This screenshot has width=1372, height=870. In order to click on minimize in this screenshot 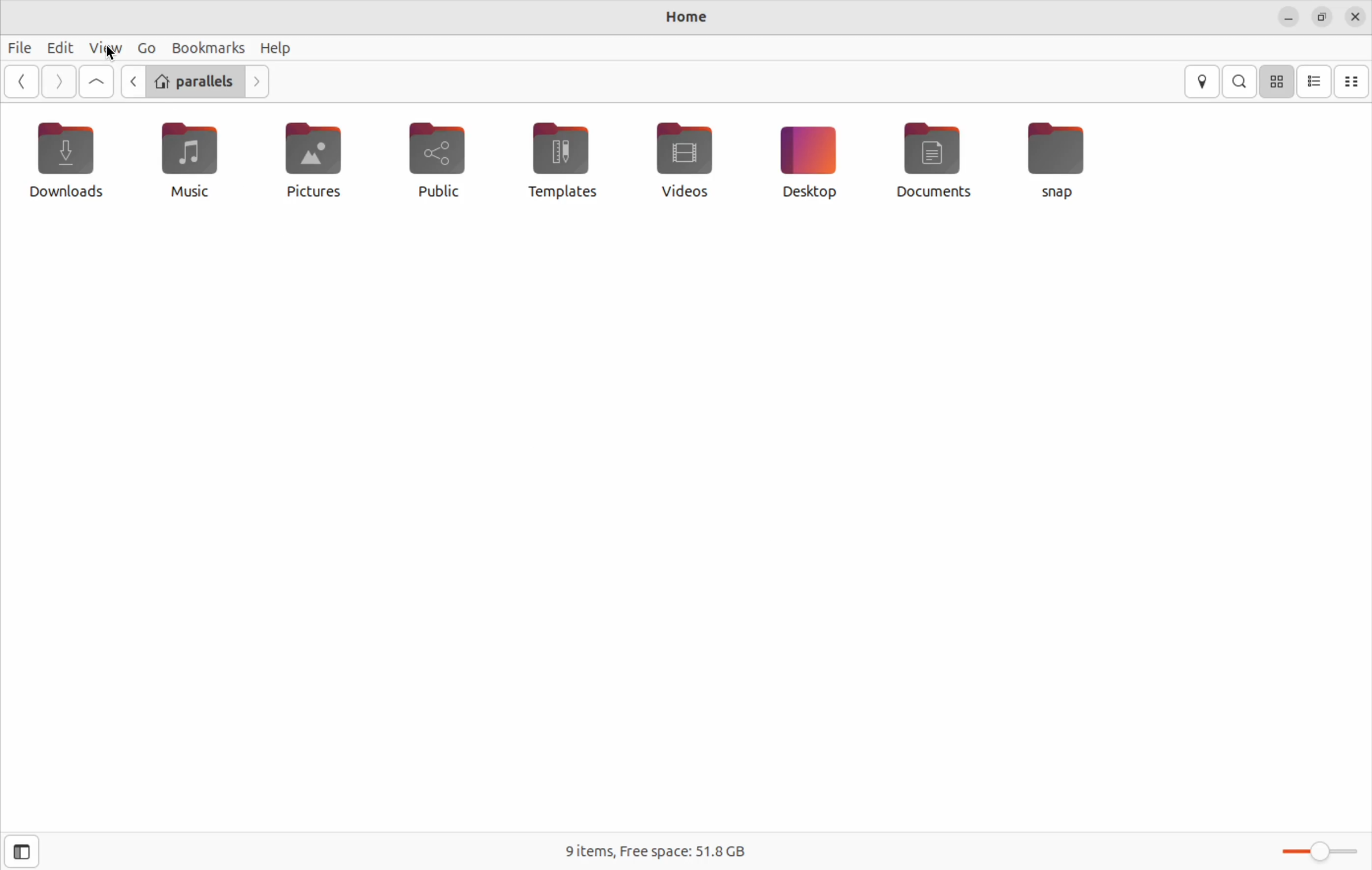, I will do `click(1284, 16)`.